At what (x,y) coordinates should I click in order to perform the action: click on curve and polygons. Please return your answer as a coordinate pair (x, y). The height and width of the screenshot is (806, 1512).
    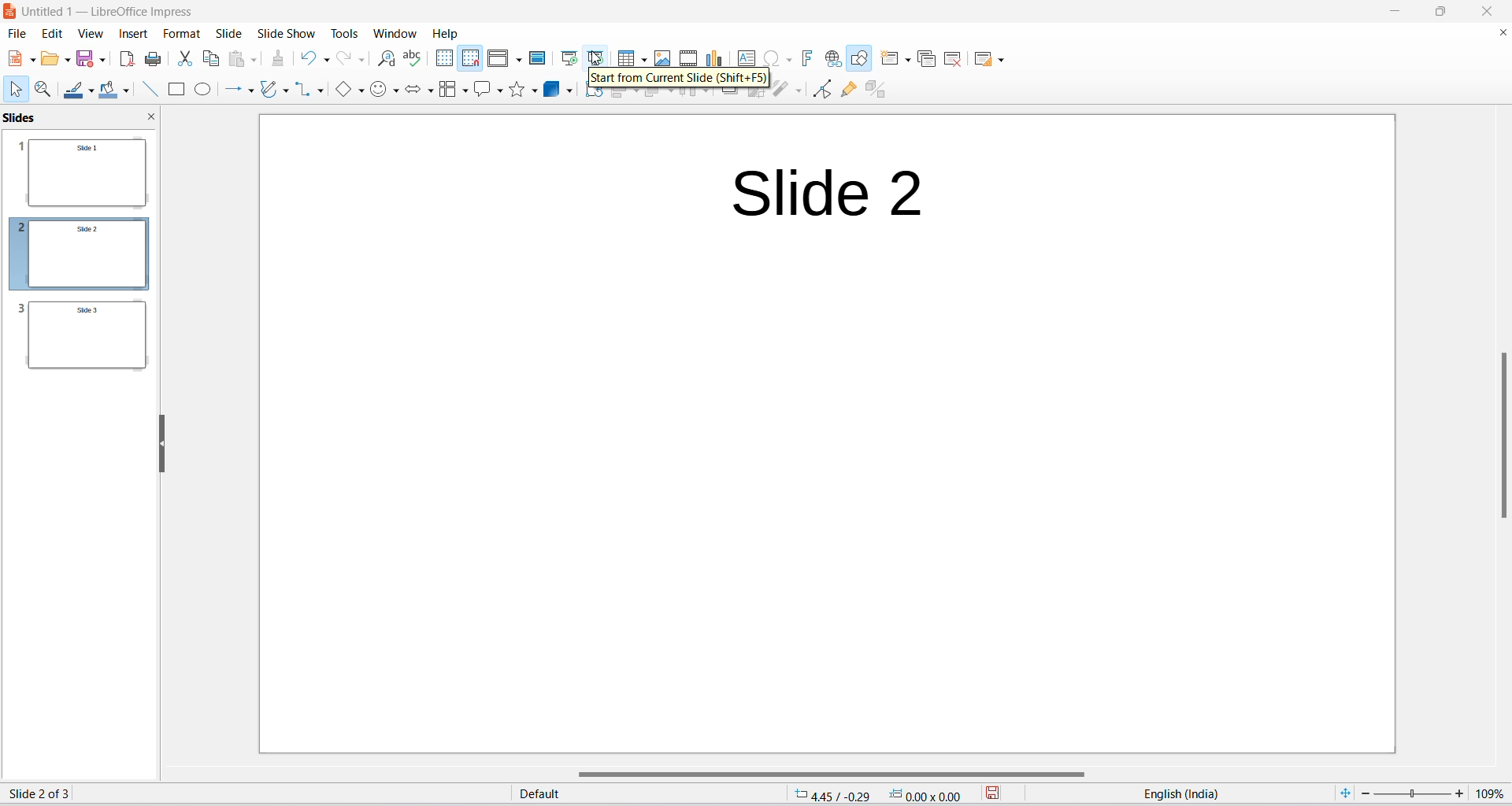
    Looking at the image, I should click on (286, 89).